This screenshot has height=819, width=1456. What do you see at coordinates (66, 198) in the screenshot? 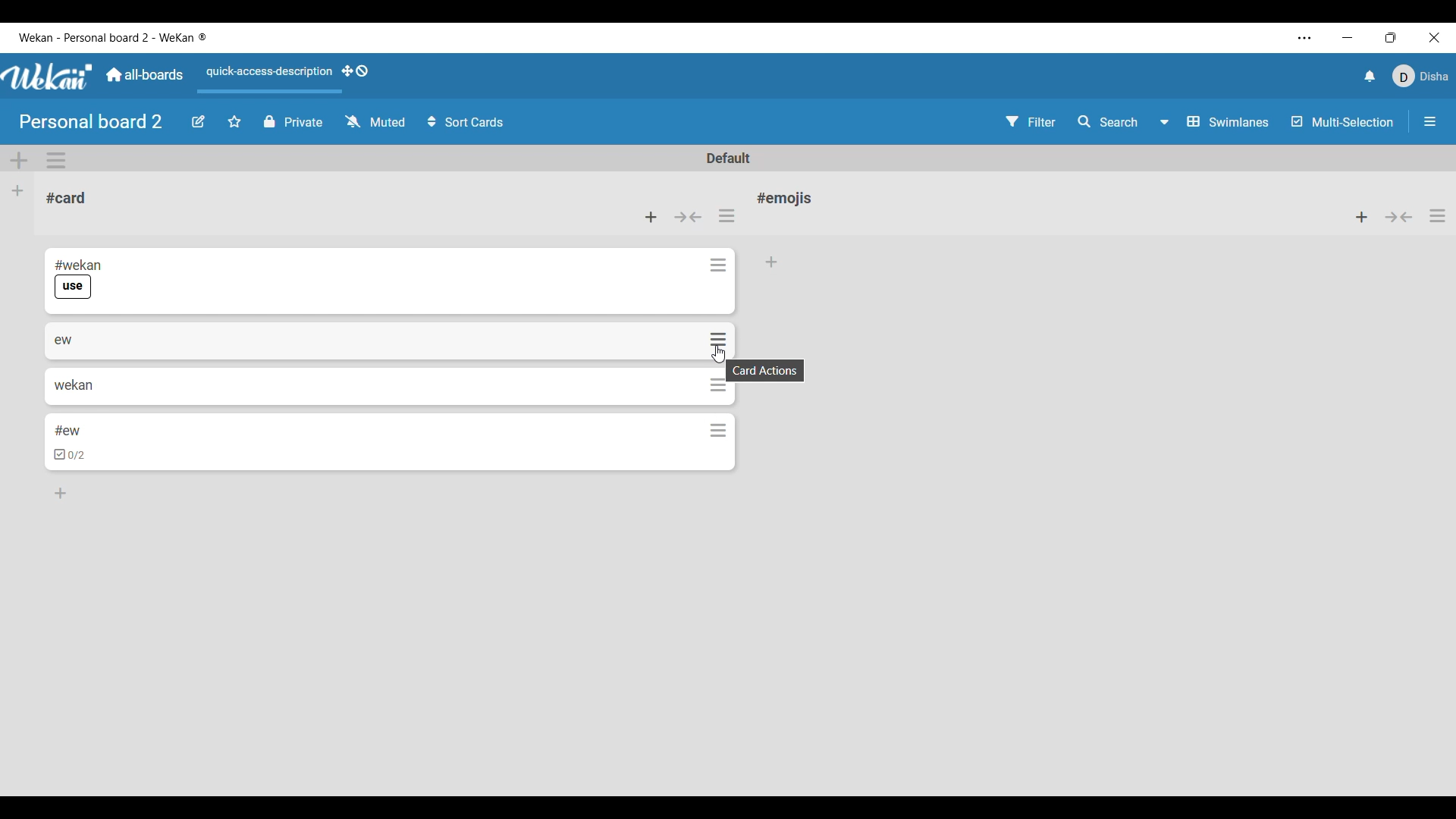
I see `Card name` at bounding box center [66, 198].